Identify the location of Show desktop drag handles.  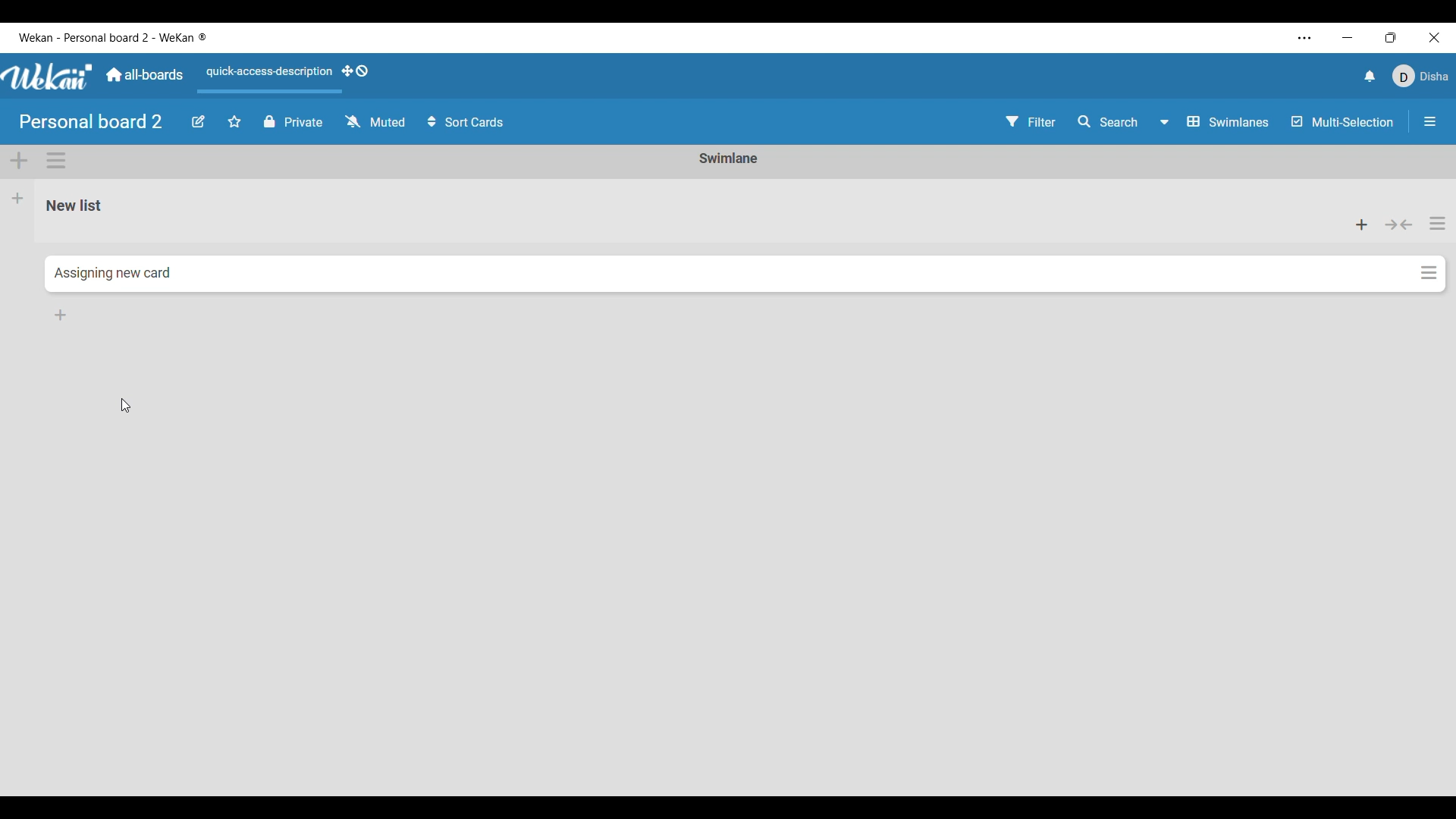
(356, 71).